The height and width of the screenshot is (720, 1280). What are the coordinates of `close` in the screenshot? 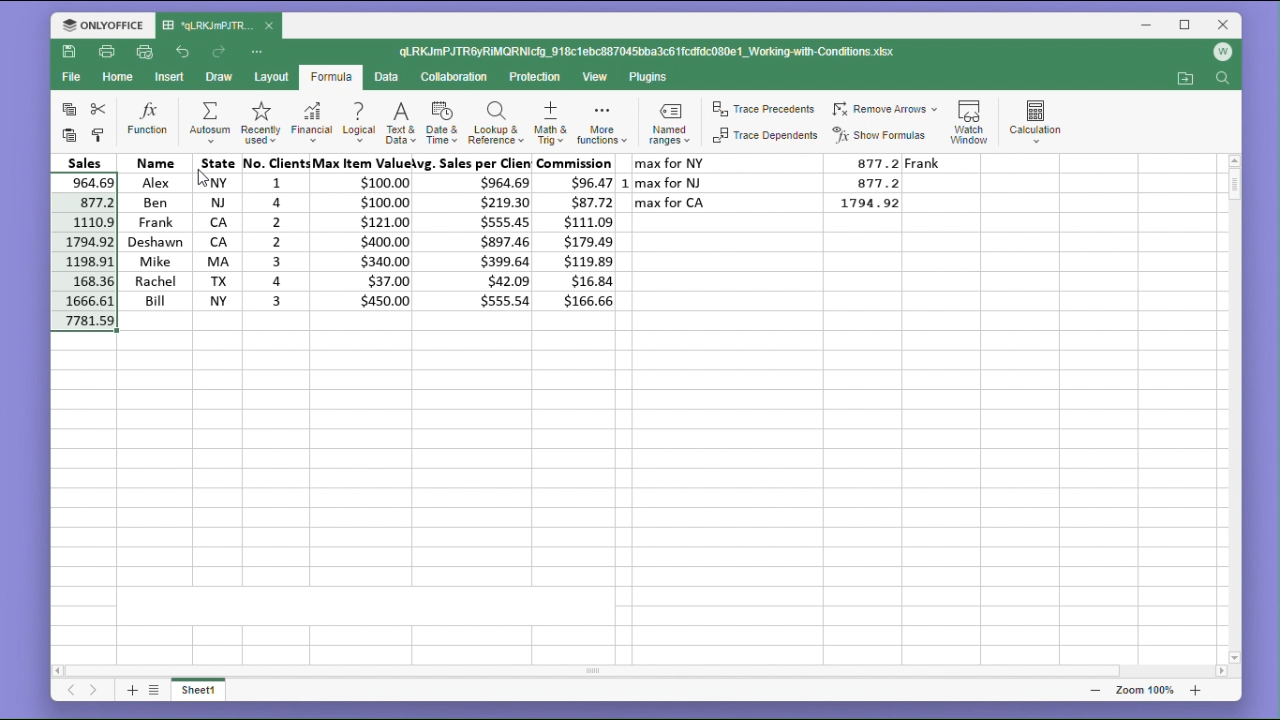 It's located at (270, 27).